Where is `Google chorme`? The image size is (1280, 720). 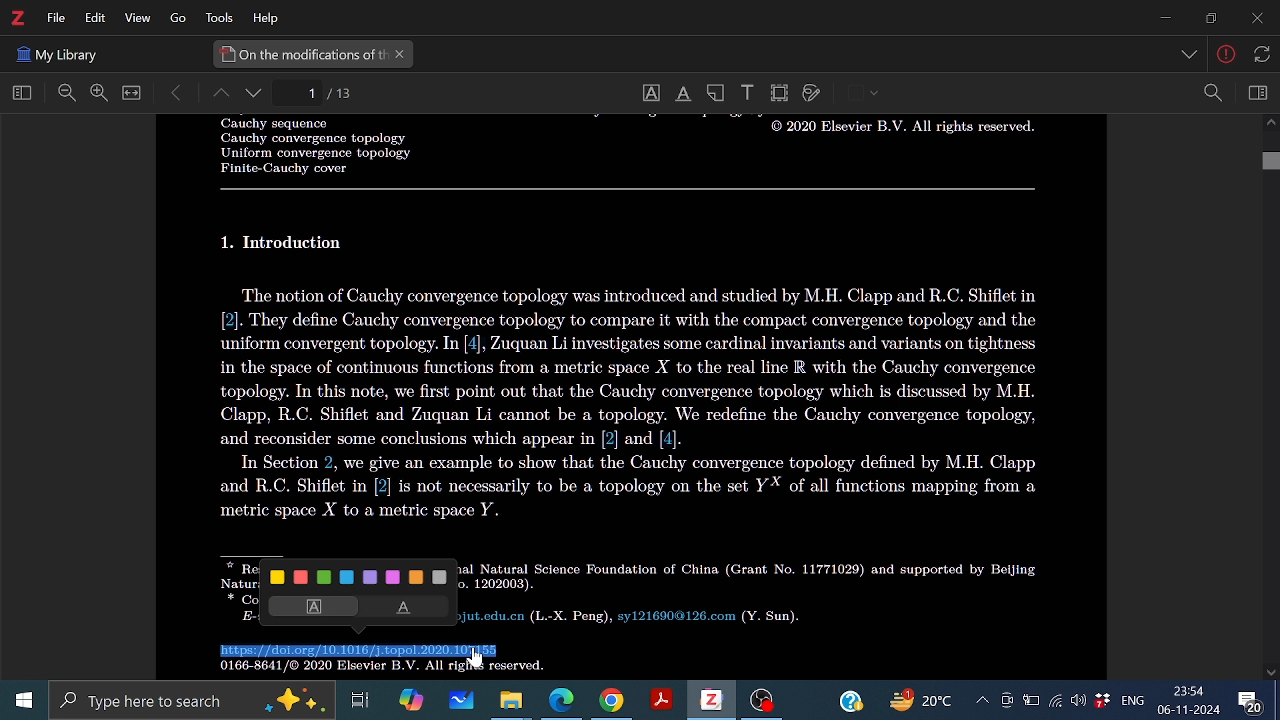 Google chorme is located at coordinates (610, 701).